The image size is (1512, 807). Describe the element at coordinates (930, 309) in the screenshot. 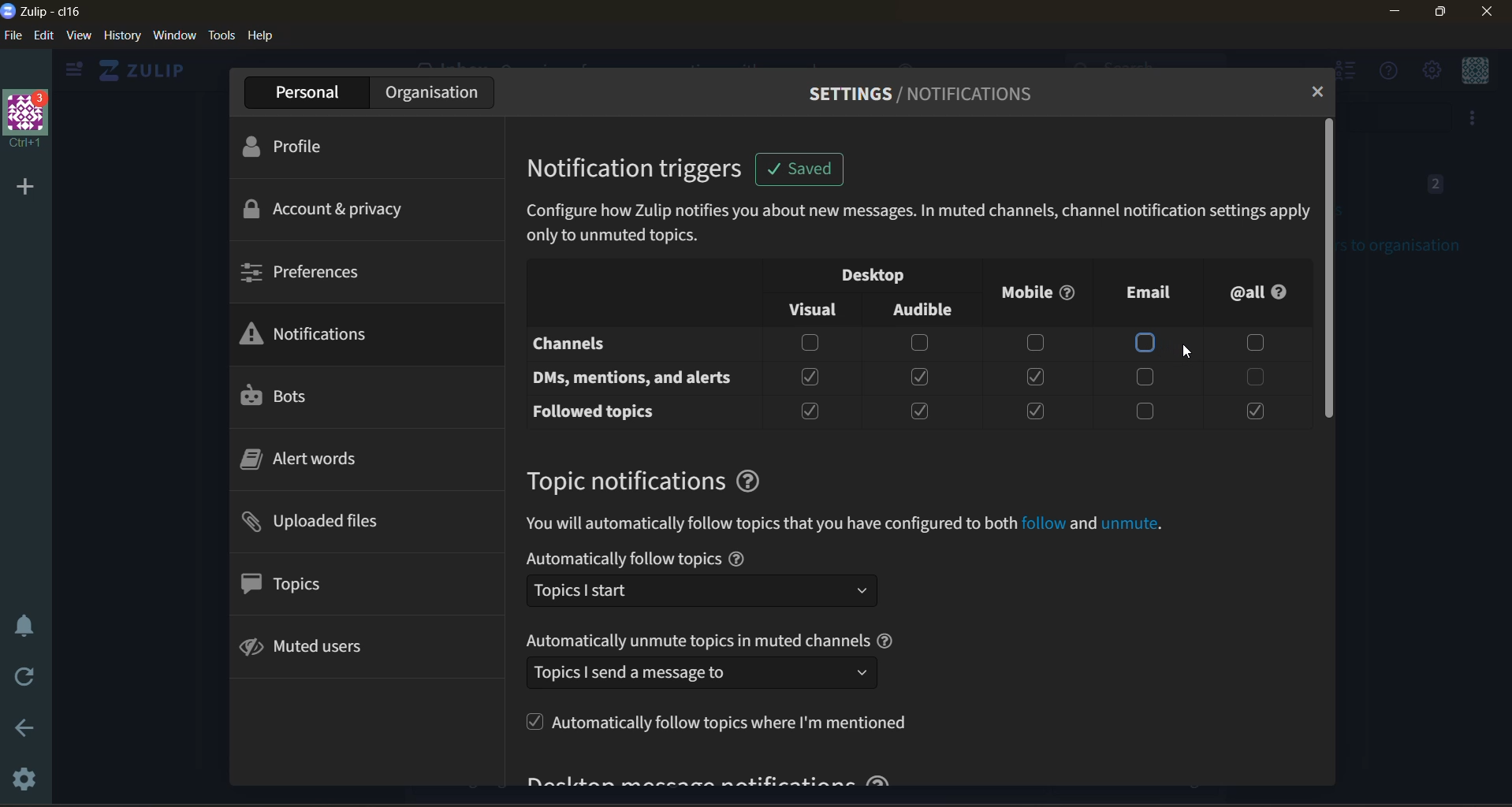

I see `audible` at that location.